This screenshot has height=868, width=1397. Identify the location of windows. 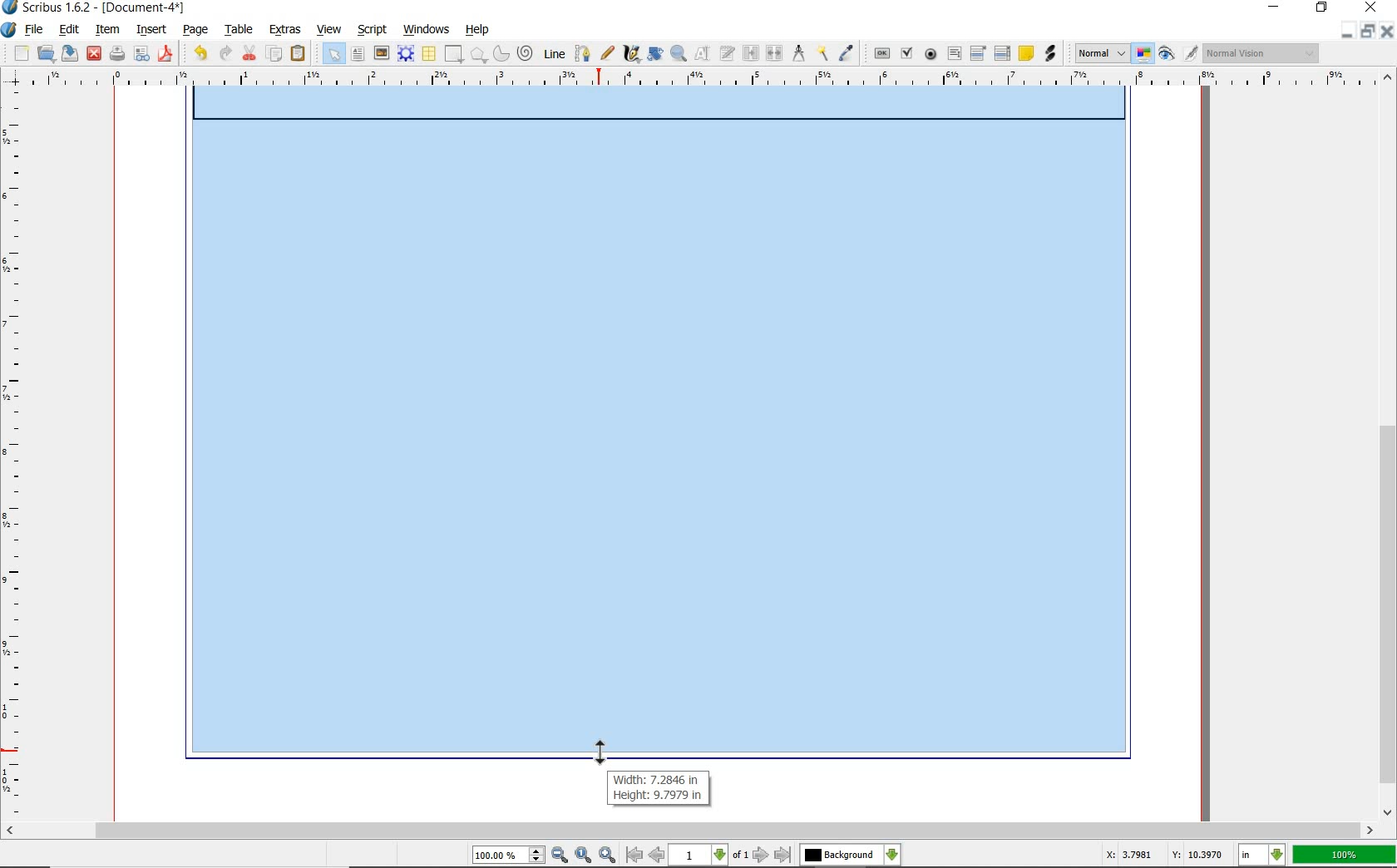
(426, 29).